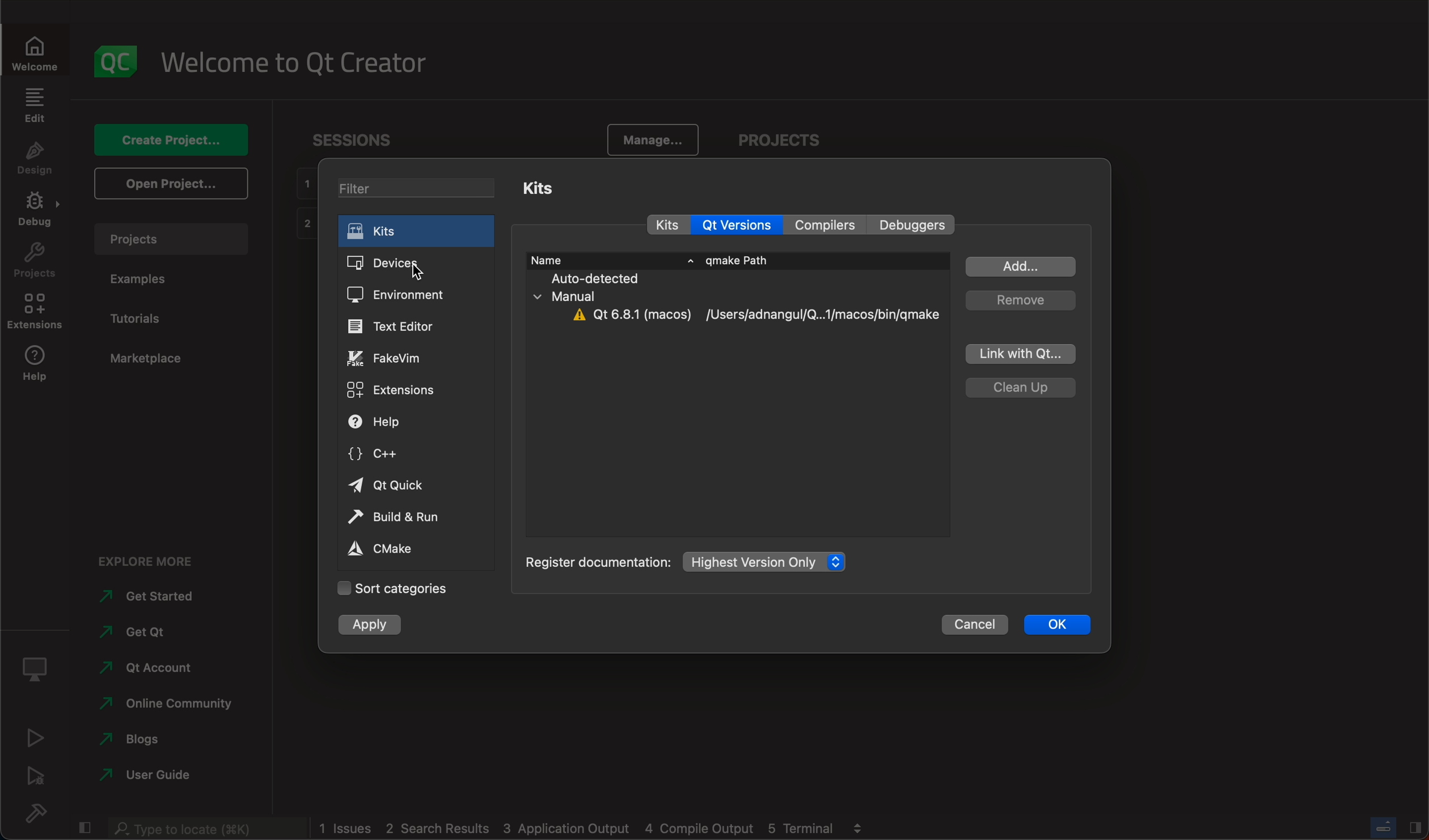 The width and height of the screenshot is (1429, 840). I want to click on remove, so click(1020, 299).